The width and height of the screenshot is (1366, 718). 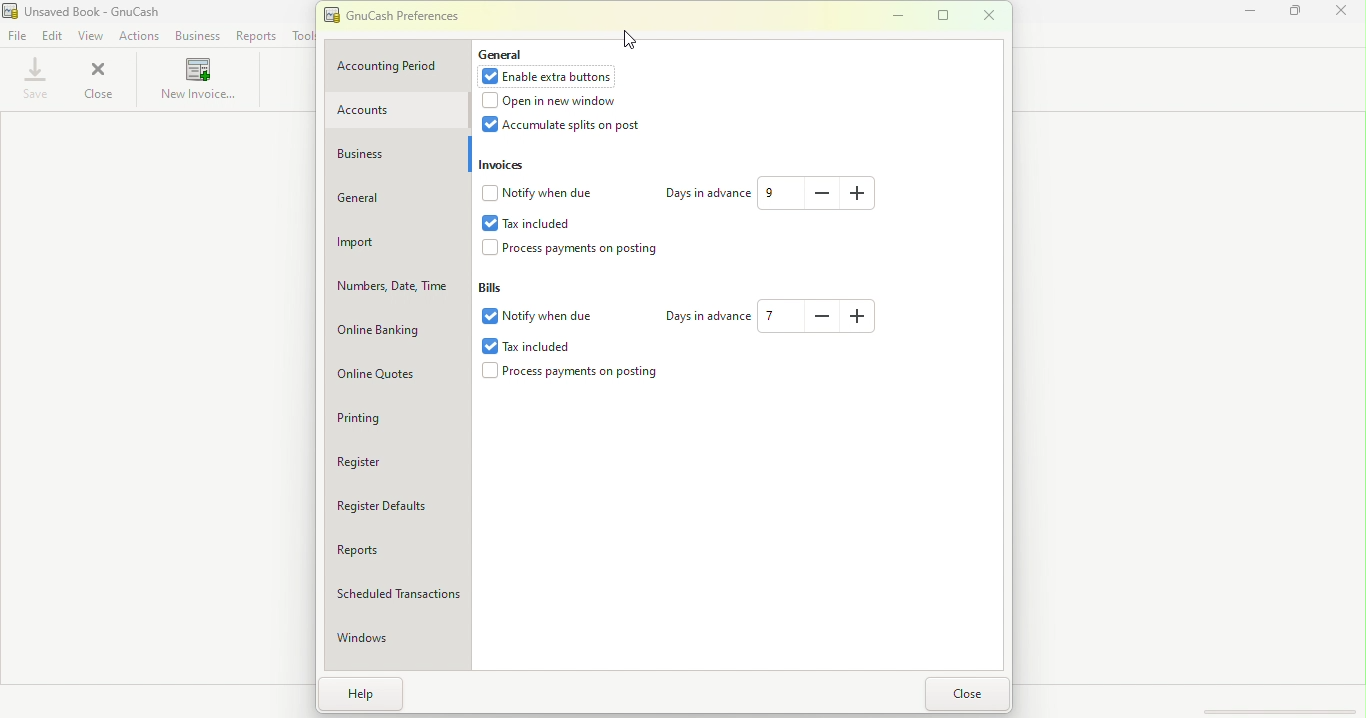 What do you see at coordinates (399, 548) in the screenshot?
I see `Reports` at bounding box center [399, 548].